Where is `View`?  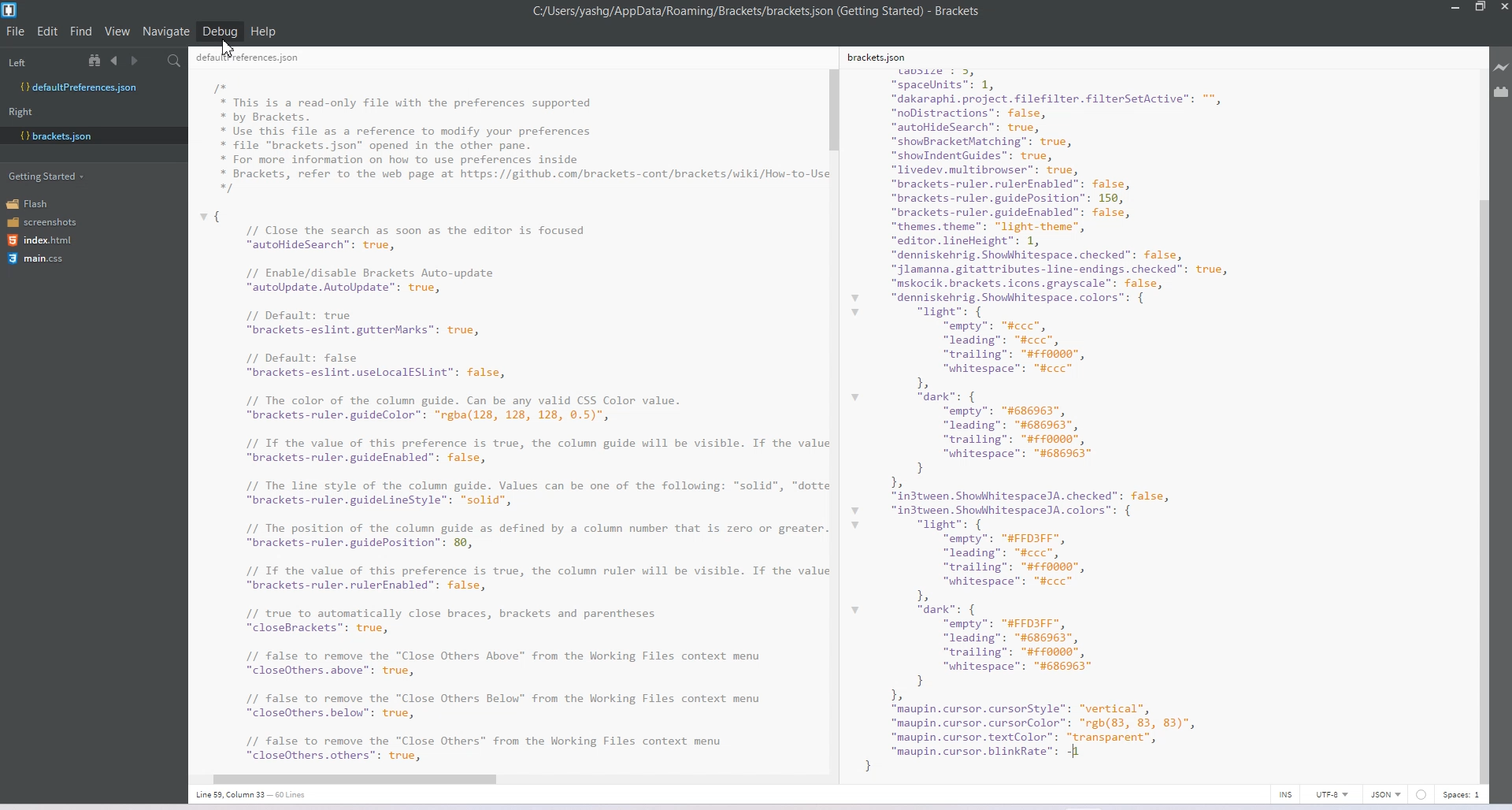
View is located at coordinates (118, 31).